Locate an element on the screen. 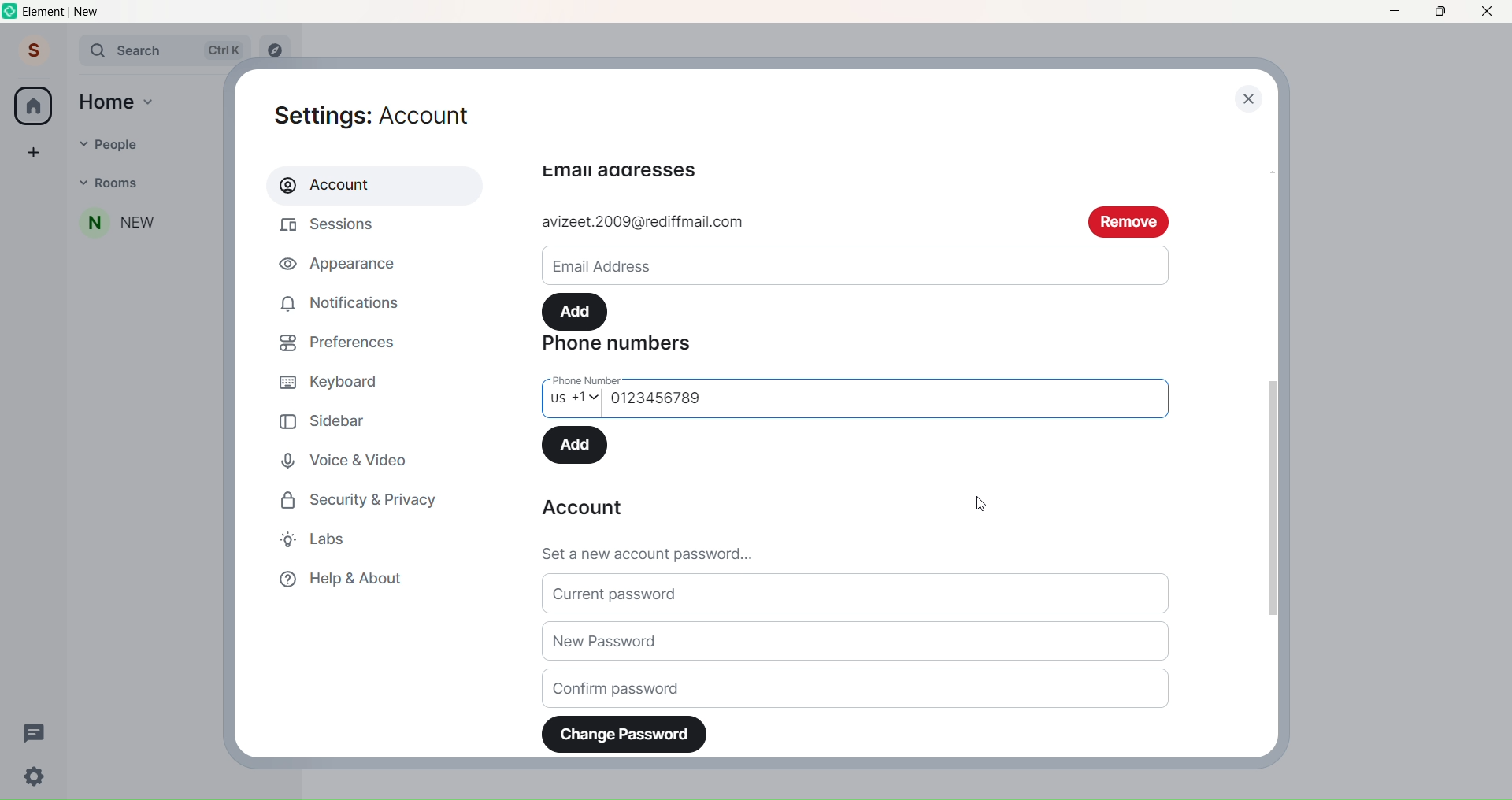 The height and width of the screenshot is (800, 1512). New Password is located at coordinates (857, 643).